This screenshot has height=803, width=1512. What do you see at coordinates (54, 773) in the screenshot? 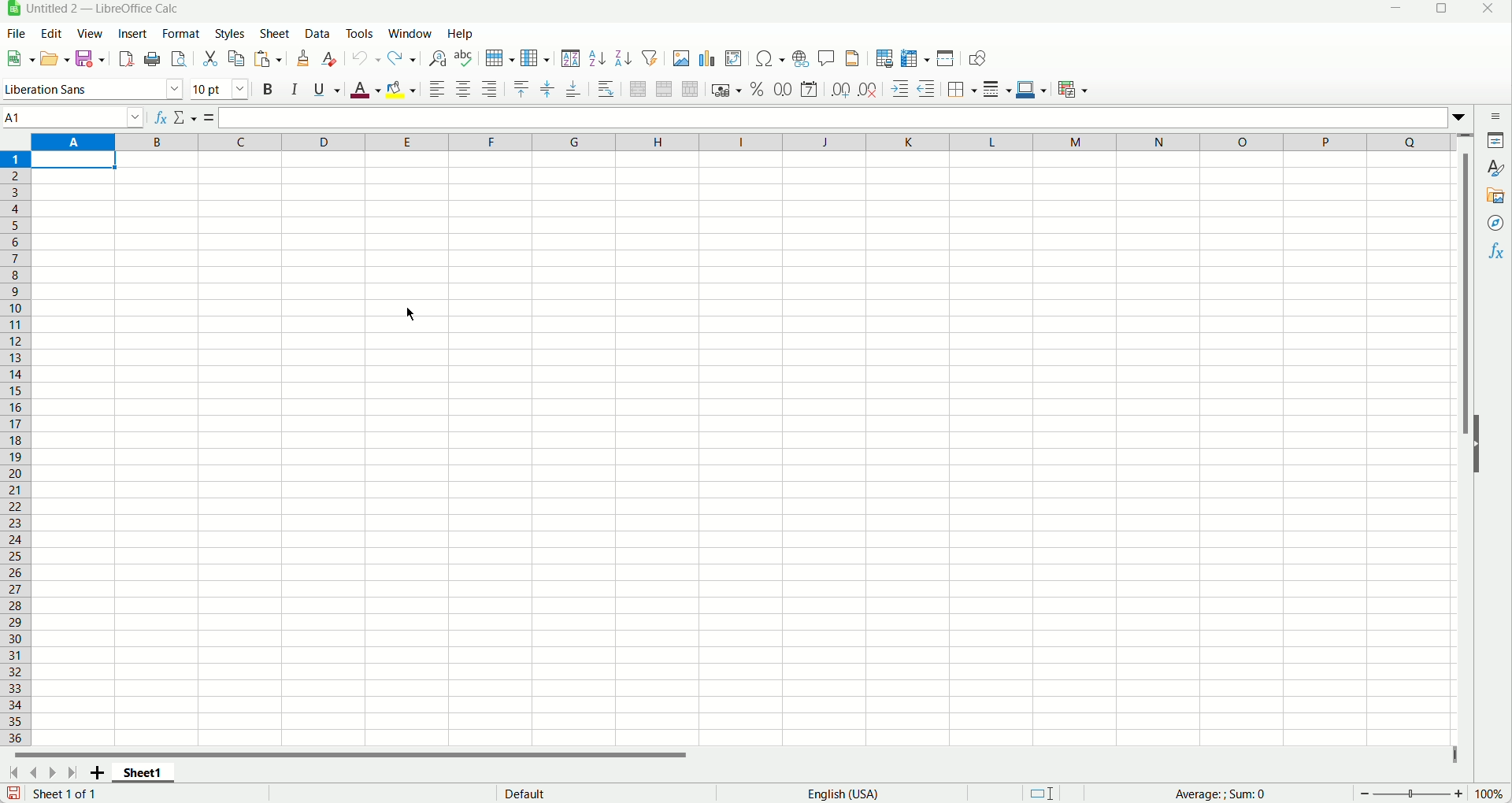
I see `Scroll to next sheet` at bounding box center [54, 773].